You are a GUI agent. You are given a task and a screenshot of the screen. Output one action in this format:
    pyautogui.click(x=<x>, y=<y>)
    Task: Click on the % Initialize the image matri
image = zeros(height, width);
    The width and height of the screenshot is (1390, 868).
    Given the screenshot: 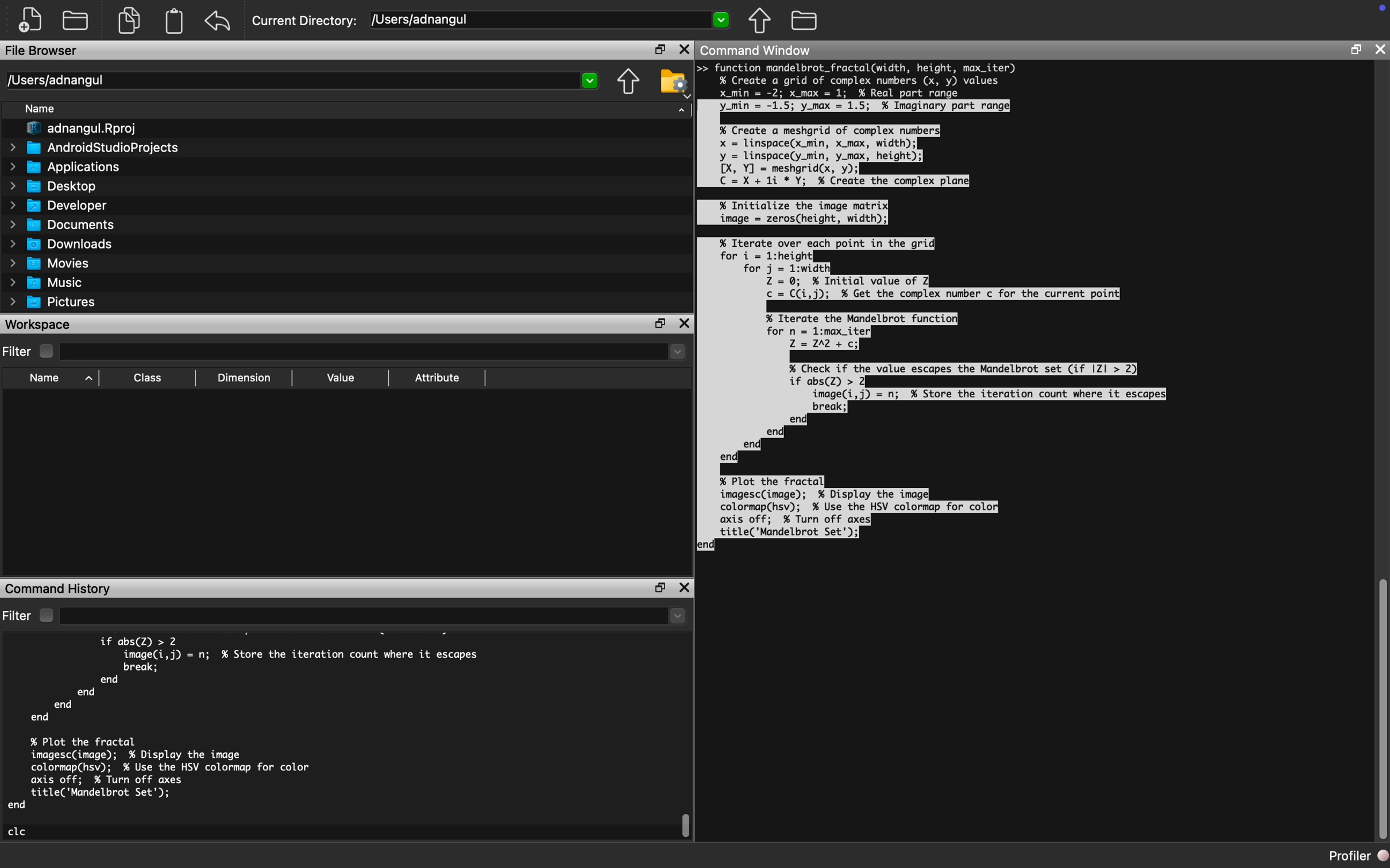 What is the action you would take?
    pyautogui.click(x=802, y=212)
    